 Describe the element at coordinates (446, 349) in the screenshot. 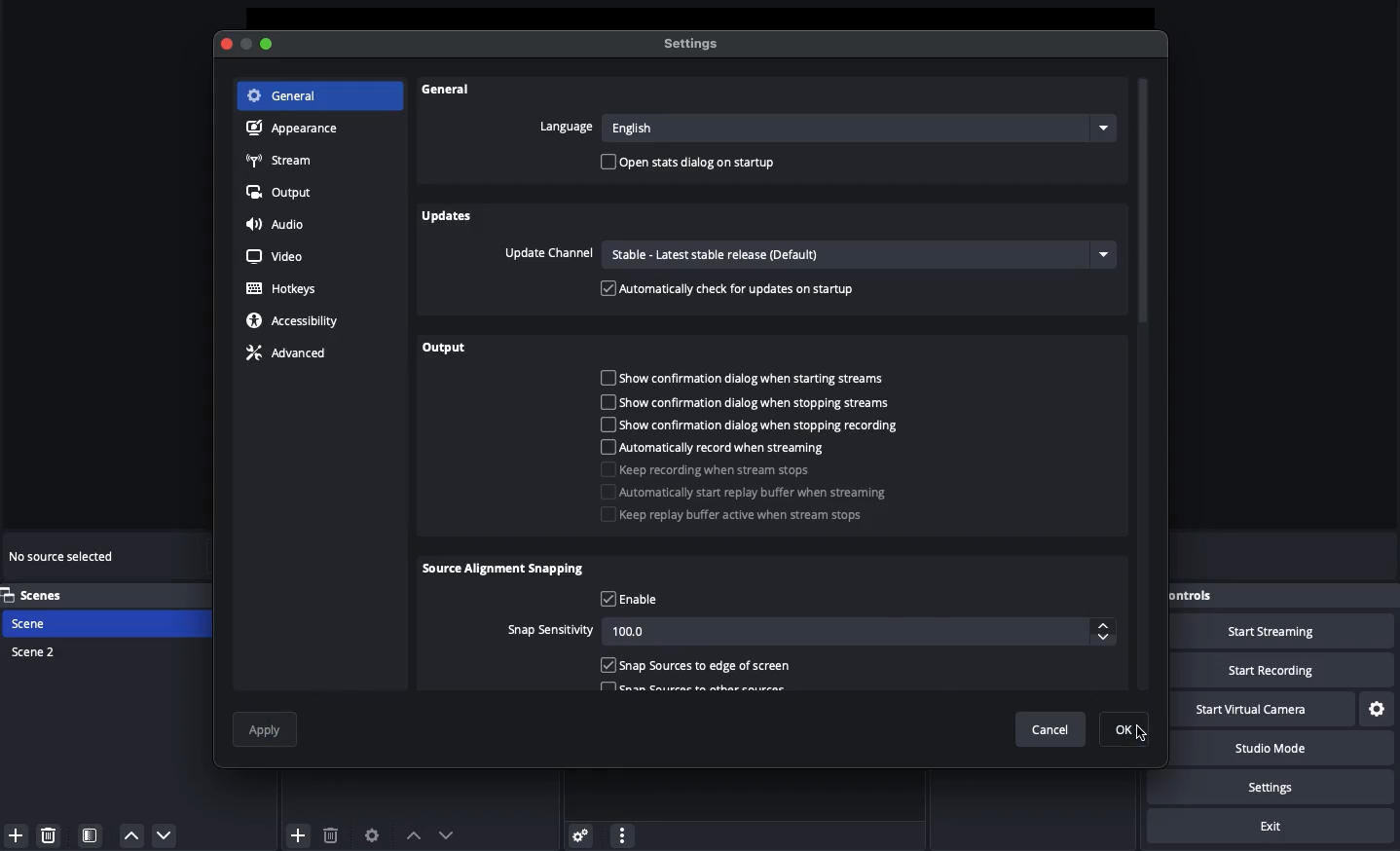

I see `Output` at that location.